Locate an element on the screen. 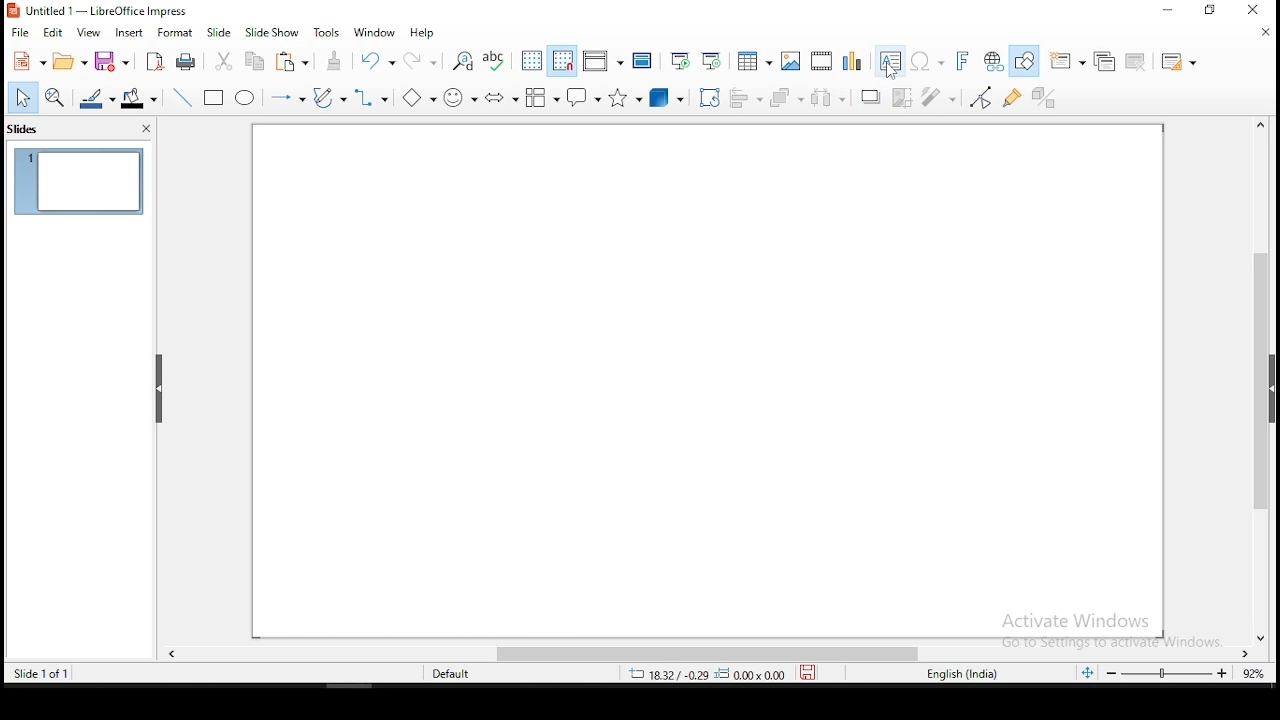  collapse is located at coordinates (160, 389).